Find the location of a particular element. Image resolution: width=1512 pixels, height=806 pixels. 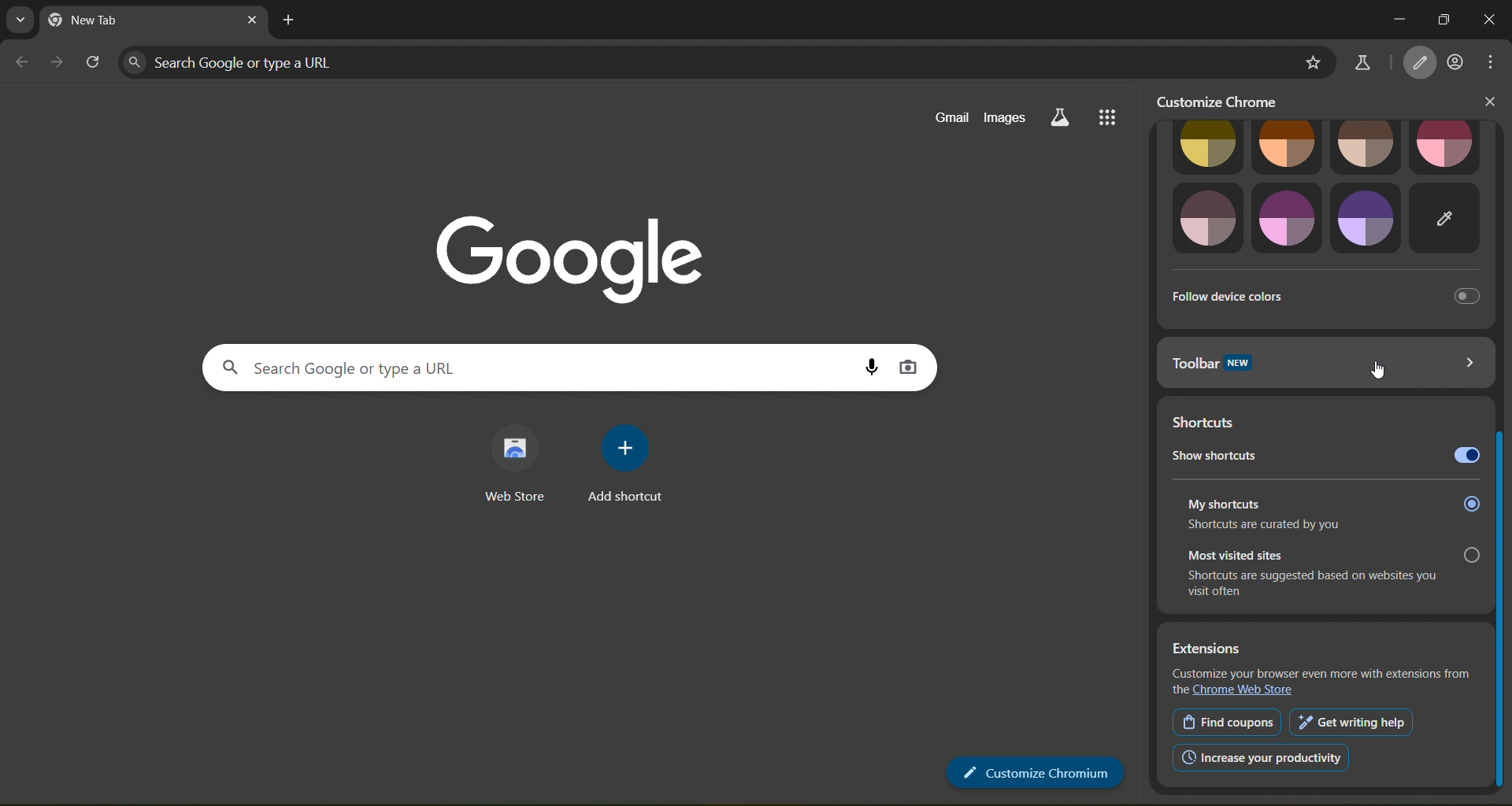

gmail is located at coordinates (951, 118).